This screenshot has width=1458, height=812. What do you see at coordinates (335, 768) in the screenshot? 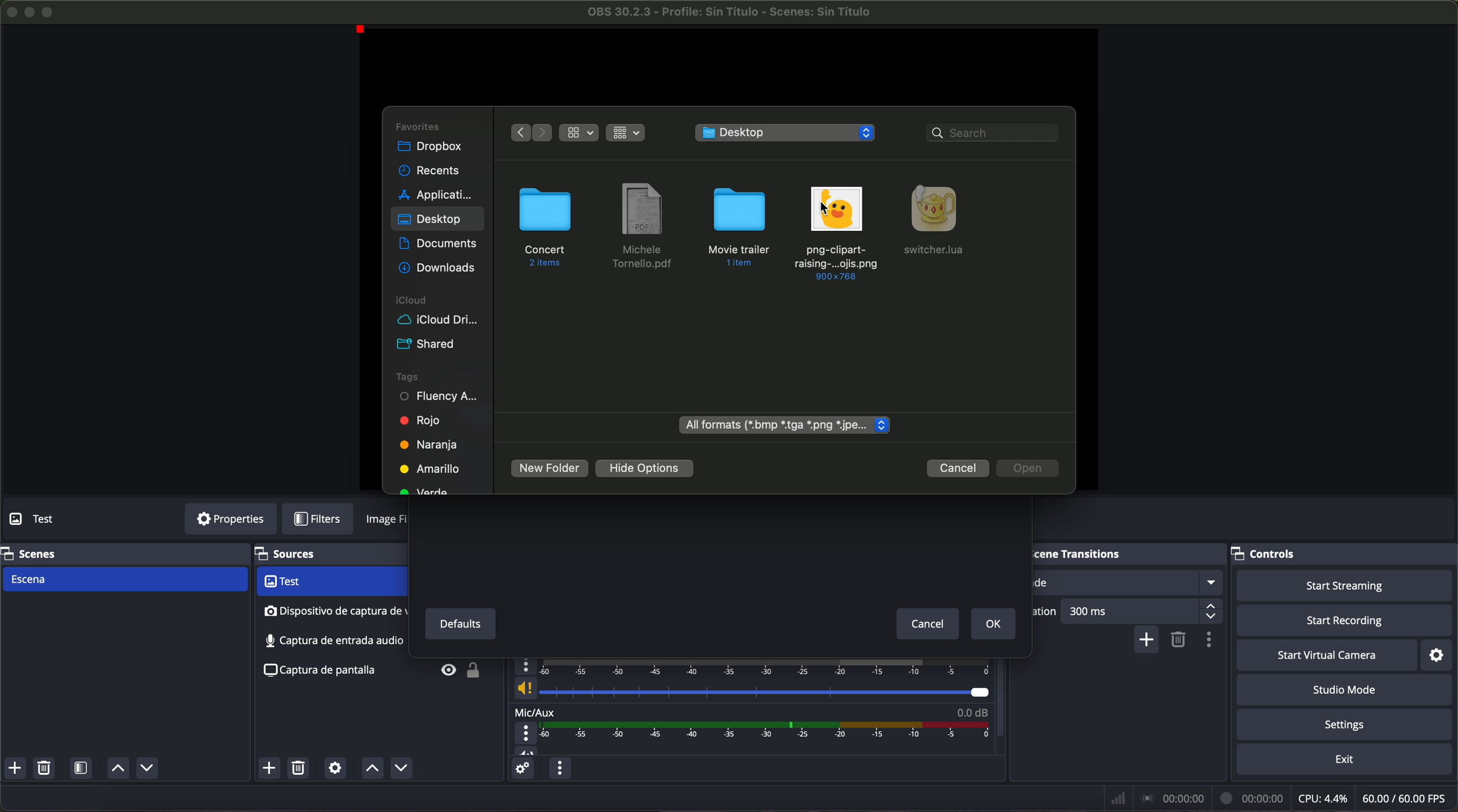
I see `open source properties` at bounding box center [335, 768].